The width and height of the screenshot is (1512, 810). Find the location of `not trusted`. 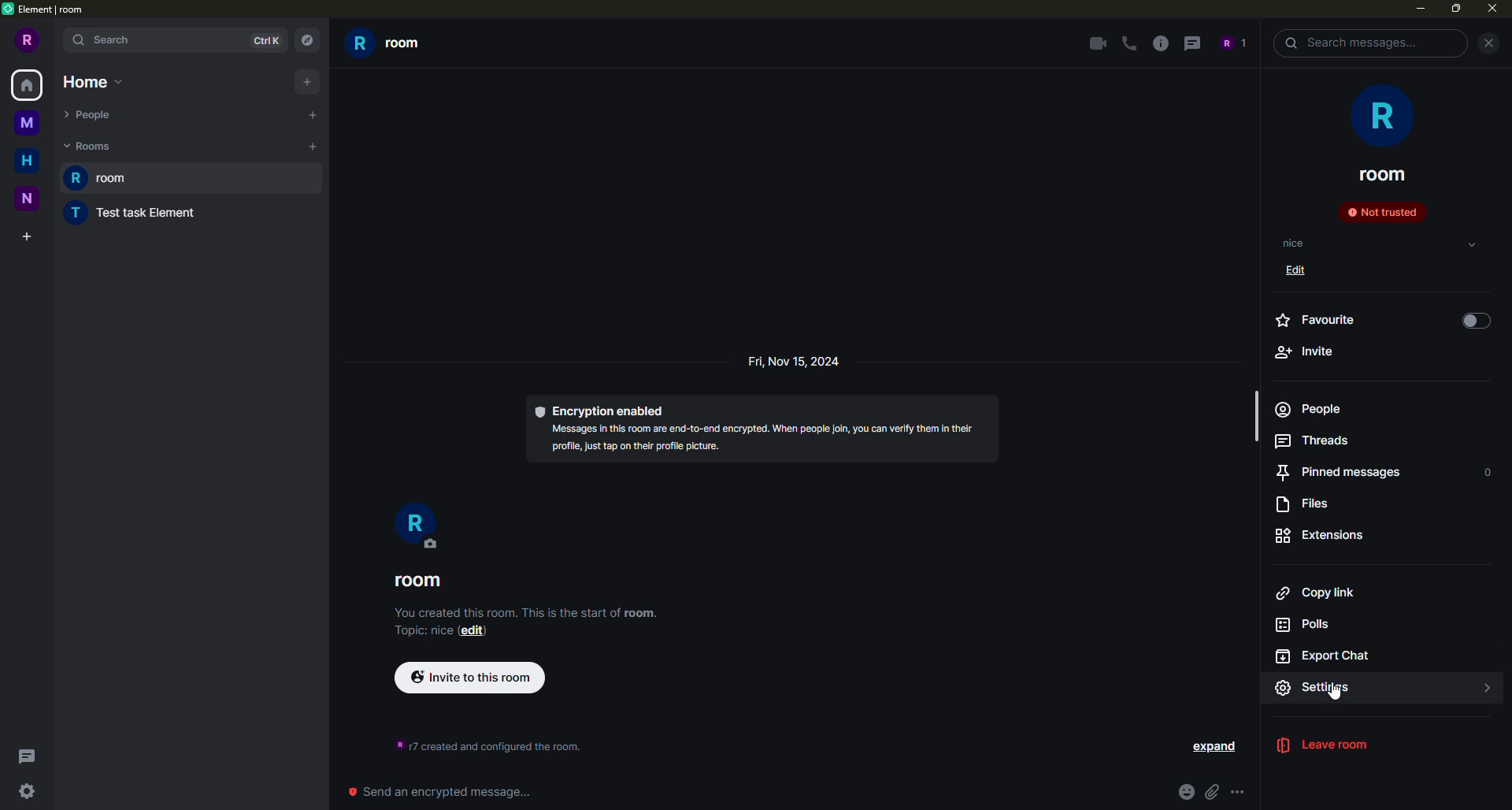

not trusted is located at coordinates (1381, 211).